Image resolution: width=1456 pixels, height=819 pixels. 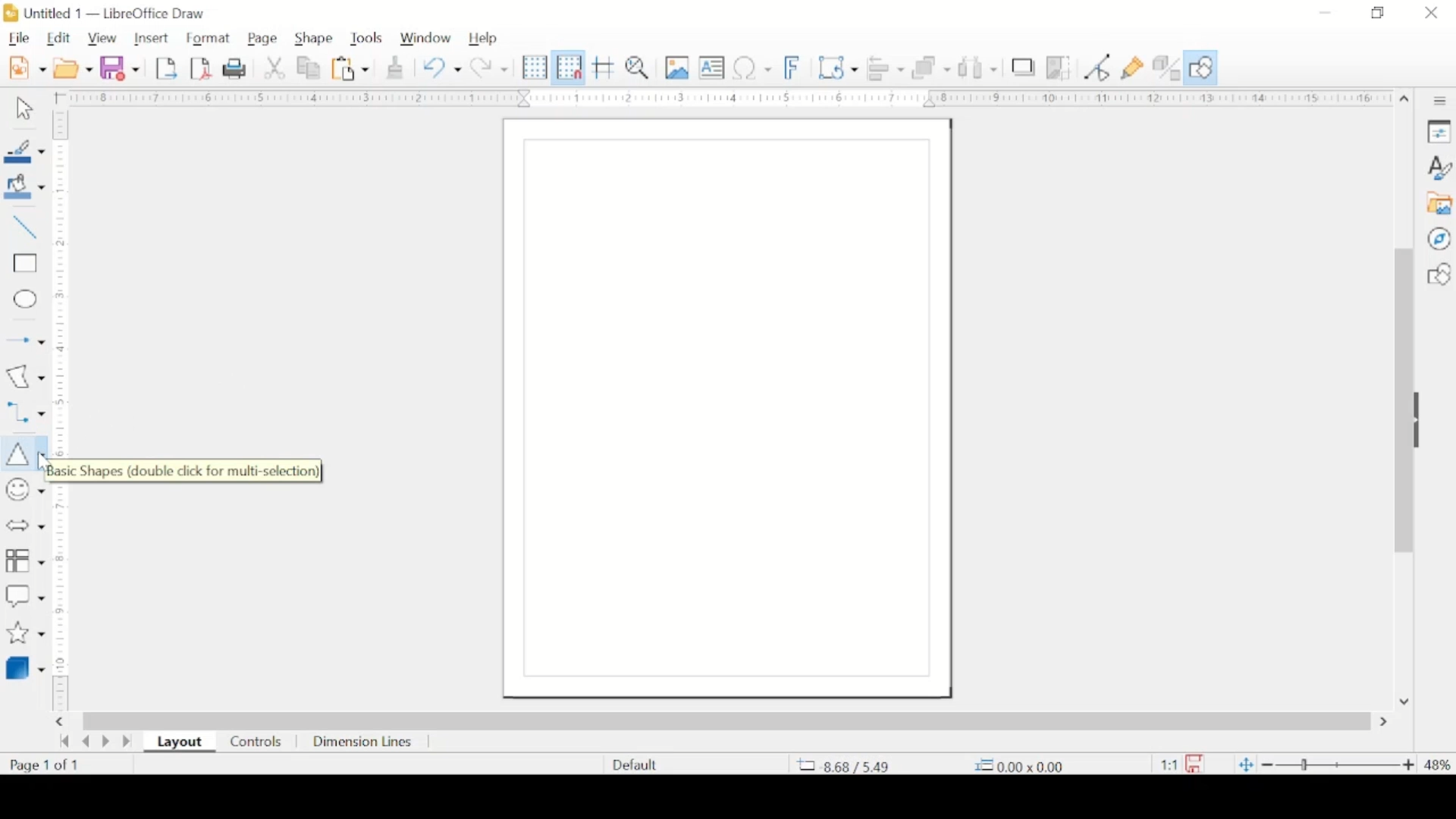 What do you see at coordinates (365, 742) in the screenshot?
I see `dimension lines` at bounding box center [365, 742].